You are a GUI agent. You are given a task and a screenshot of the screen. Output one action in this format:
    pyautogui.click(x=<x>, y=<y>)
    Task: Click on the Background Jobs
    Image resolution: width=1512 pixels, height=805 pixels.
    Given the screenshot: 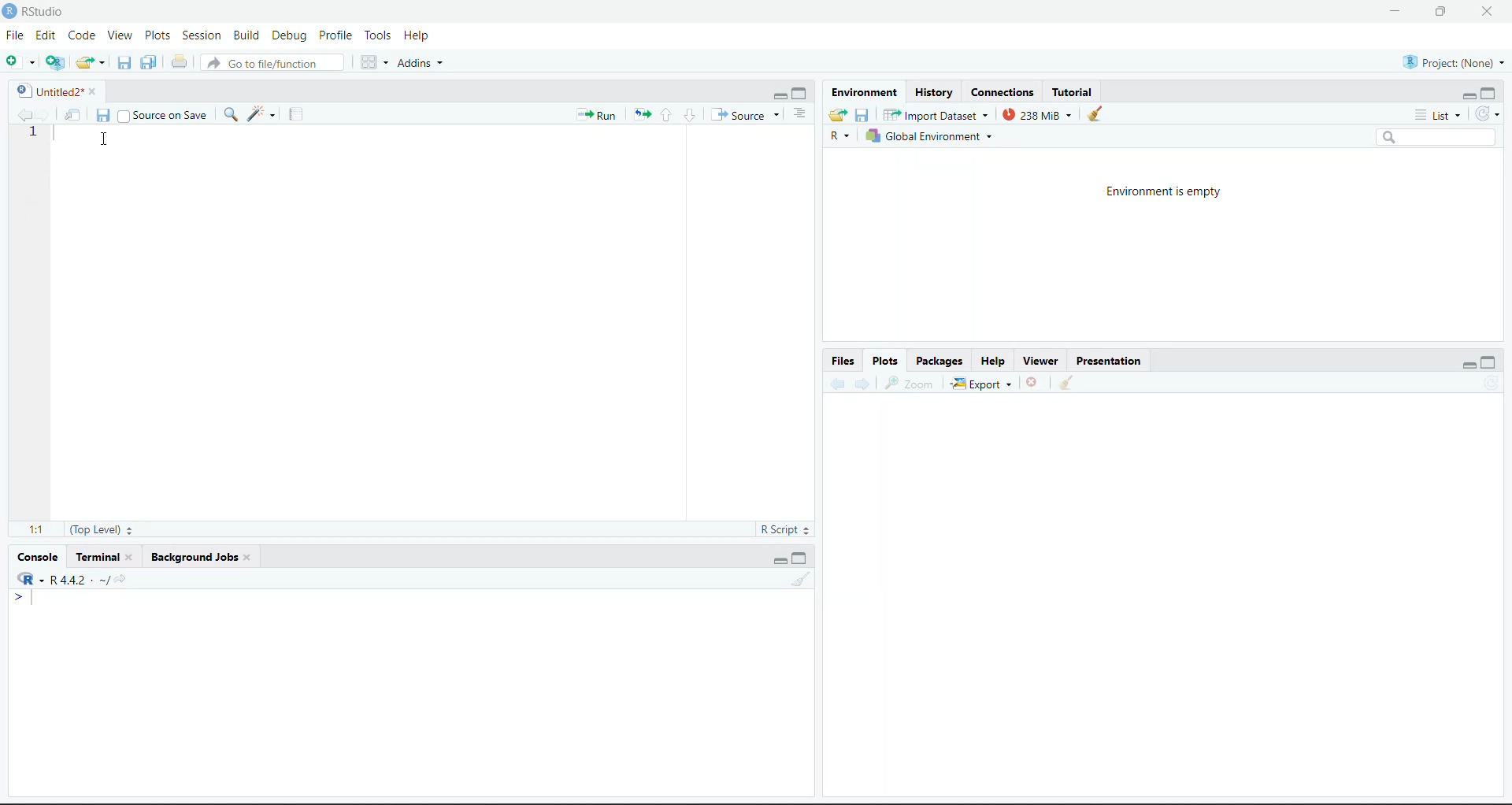 What is the action you would take?
    pyautogui.click(x=192, y=557)
    